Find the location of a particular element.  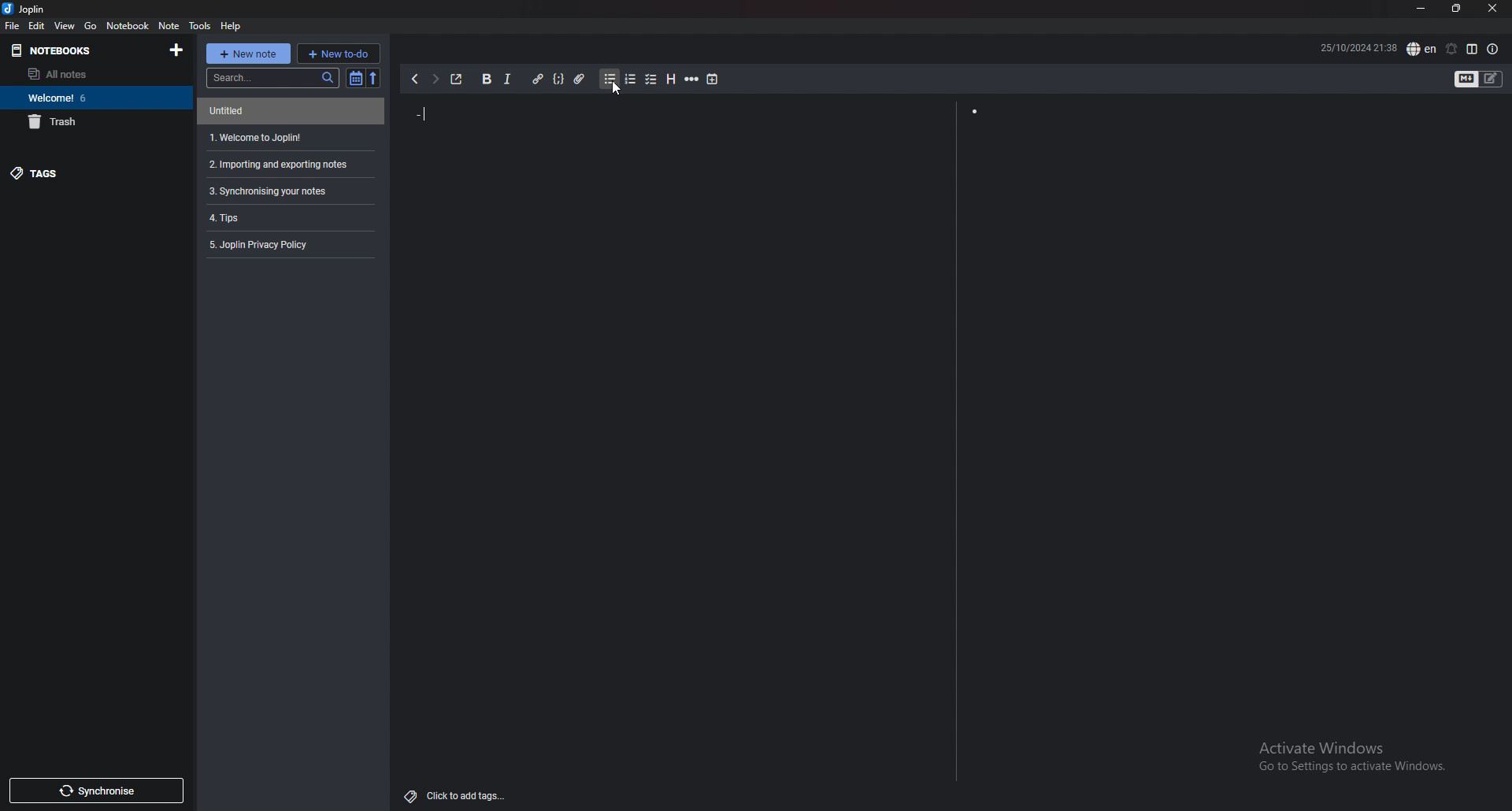

Synchronise is located at coordinates (97, 793).